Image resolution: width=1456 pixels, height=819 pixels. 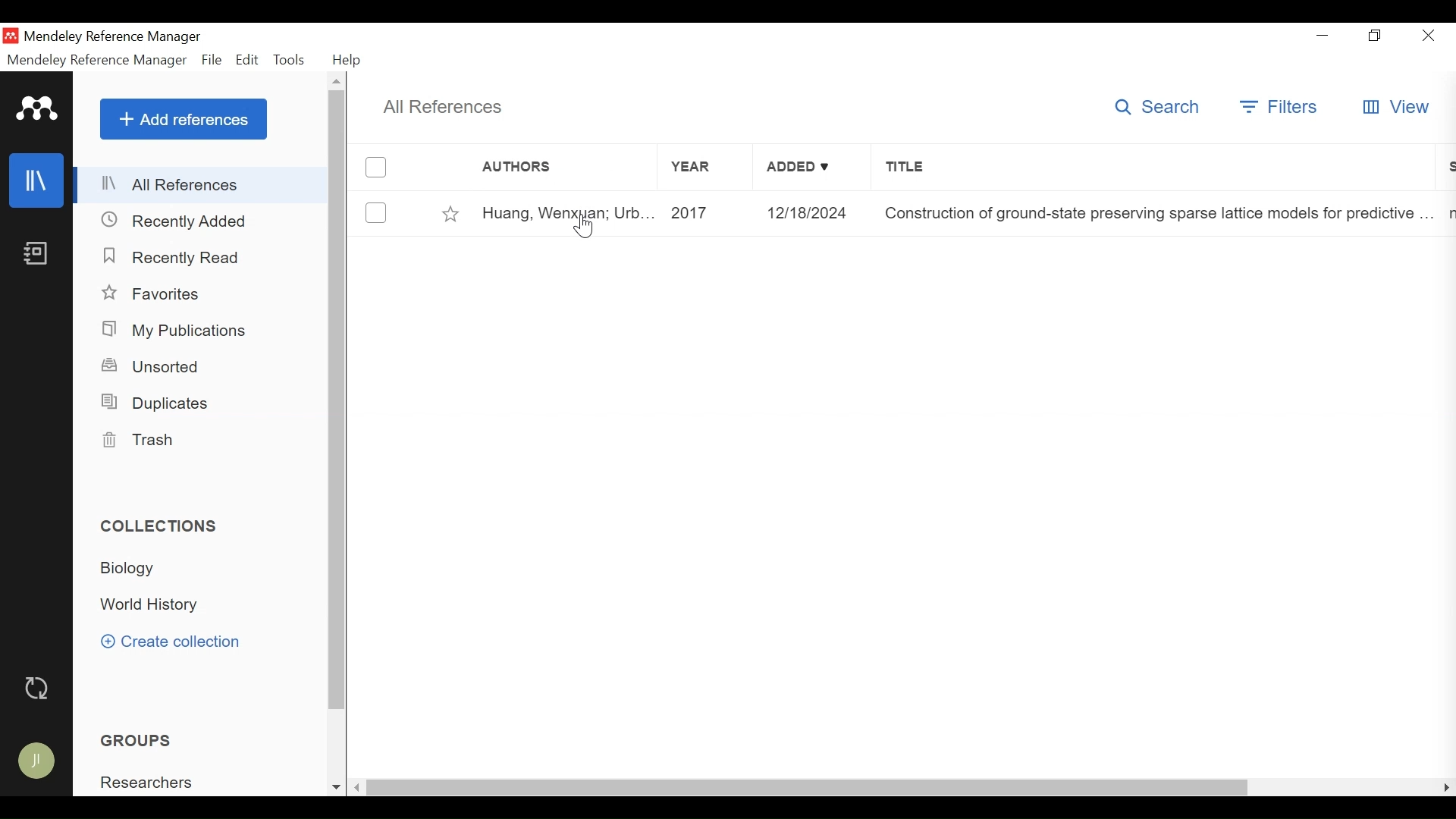 What do you see at coordinates (152, 366) in the screenshot?
I see `Unsorted` at bounding box center [152, 366].